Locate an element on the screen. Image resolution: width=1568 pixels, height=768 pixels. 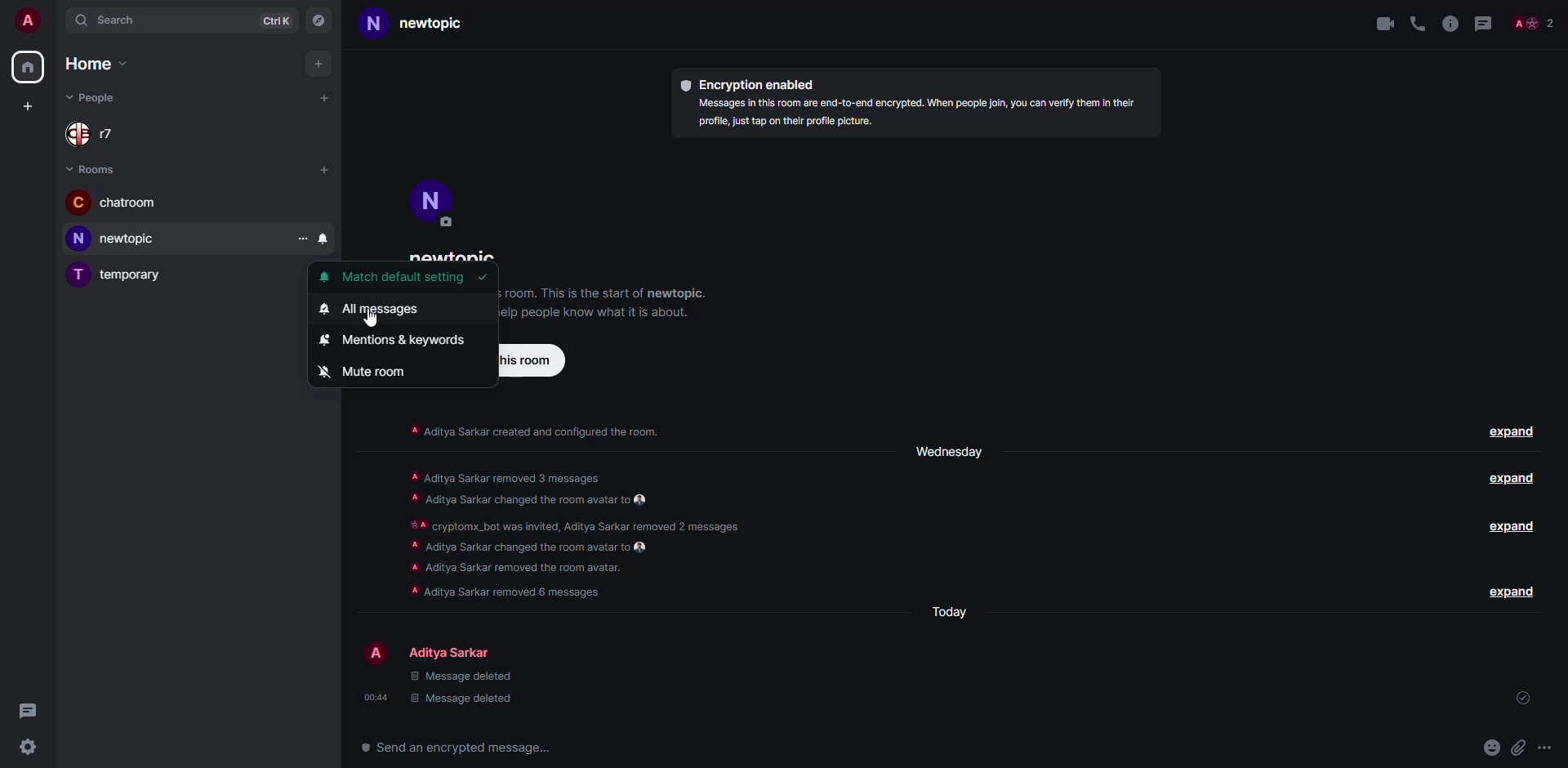
cursor is located at coordinates (372, 322).